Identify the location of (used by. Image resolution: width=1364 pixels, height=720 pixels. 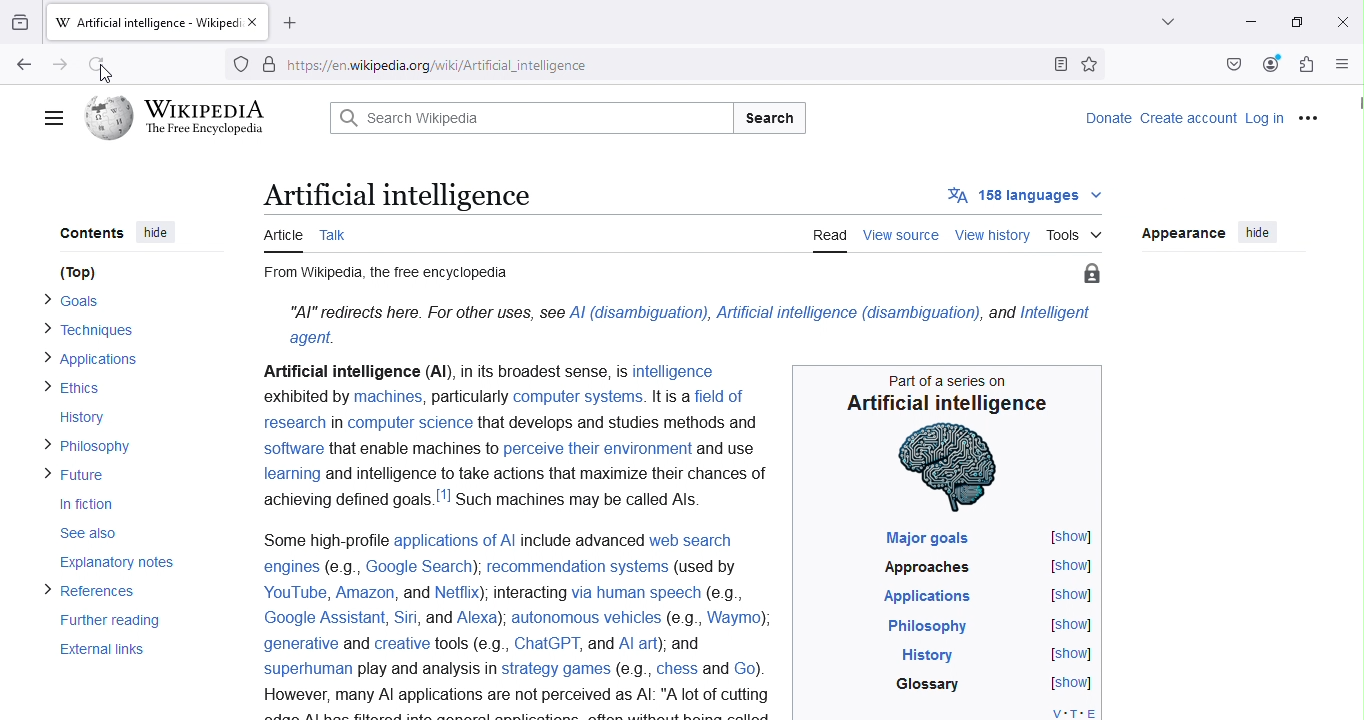
(707, 568).